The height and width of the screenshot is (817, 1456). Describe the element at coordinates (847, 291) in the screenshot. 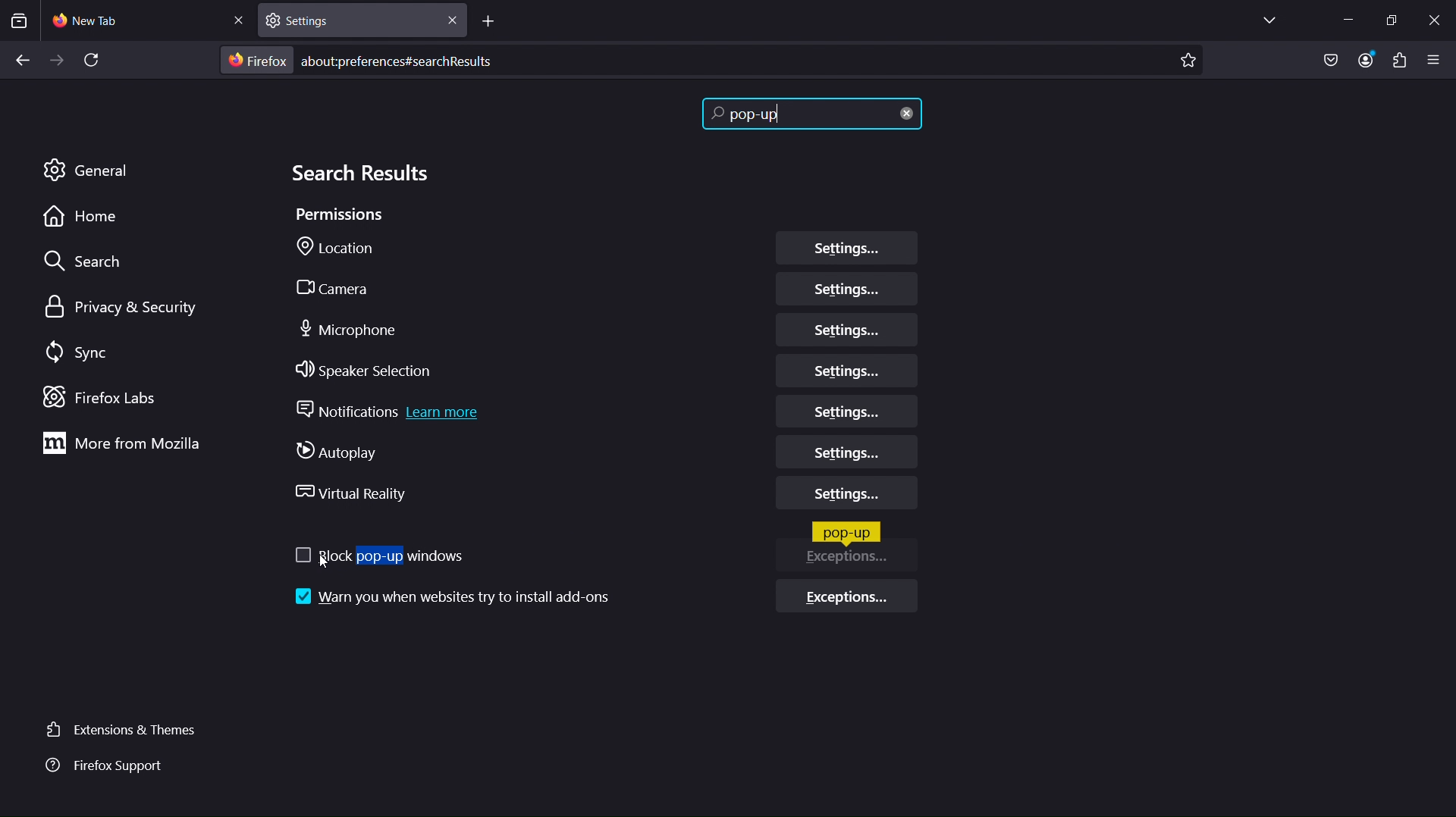

I see `Camera Settings` at that location.